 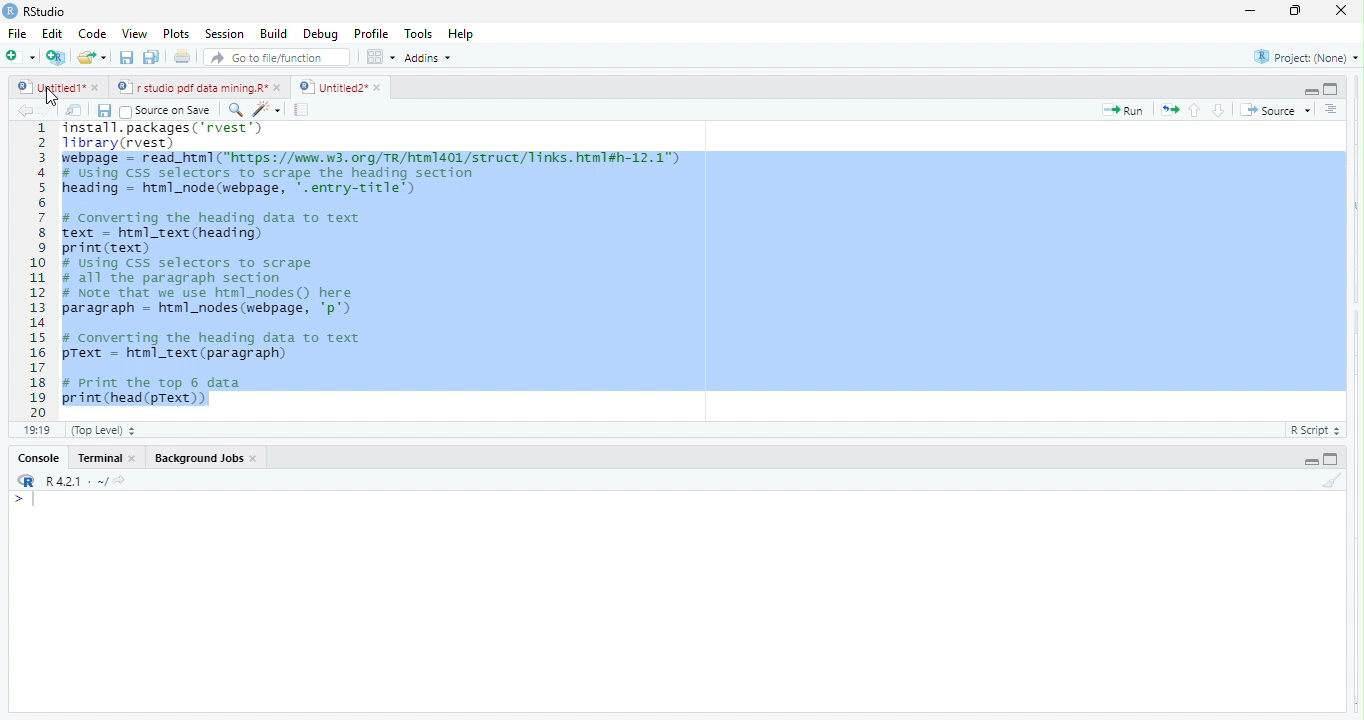 I want to click on View, so click(x=133, y=35).